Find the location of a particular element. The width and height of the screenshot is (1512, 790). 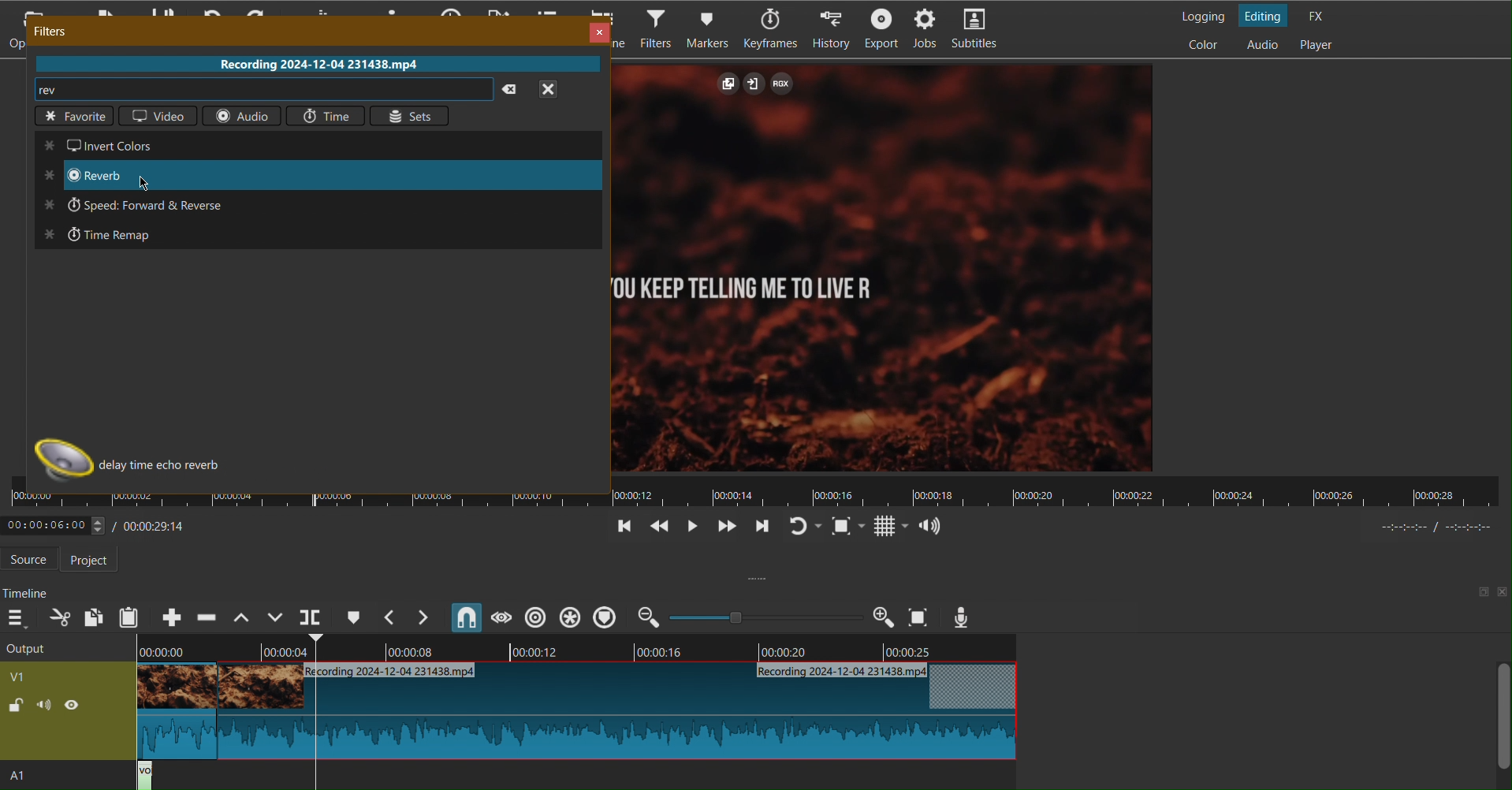

Logging is located at coordinates (1202, 13).